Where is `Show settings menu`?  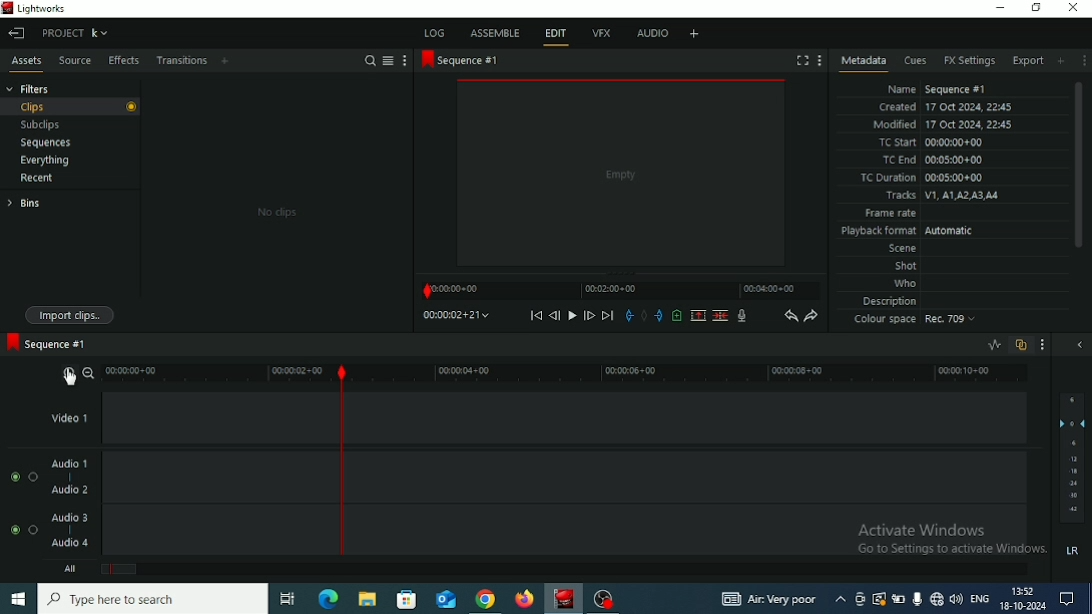
Show settings menu is located at coordinates (404, 61).